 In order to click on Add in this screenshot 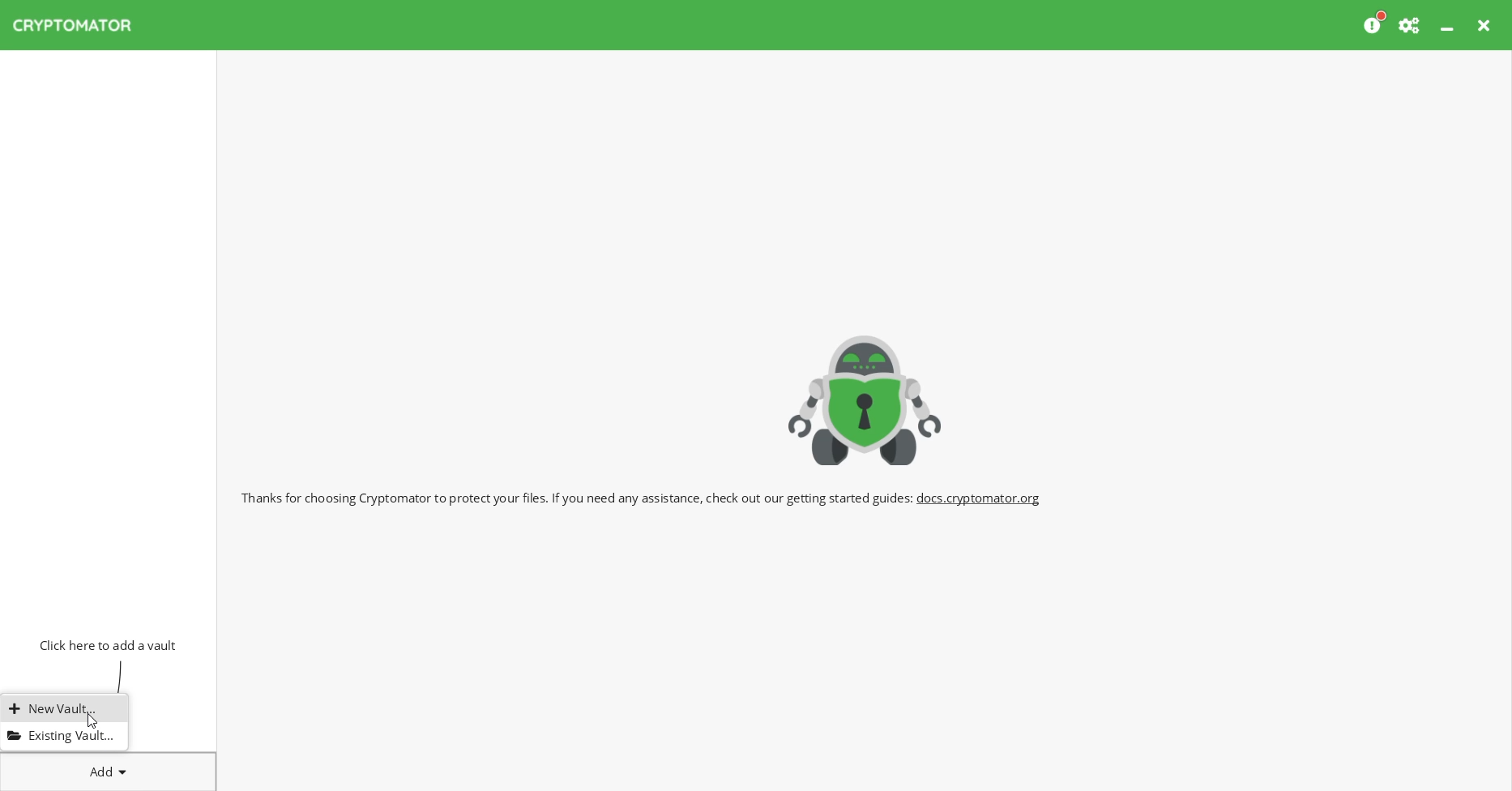, I will do `click(109, 768)`.